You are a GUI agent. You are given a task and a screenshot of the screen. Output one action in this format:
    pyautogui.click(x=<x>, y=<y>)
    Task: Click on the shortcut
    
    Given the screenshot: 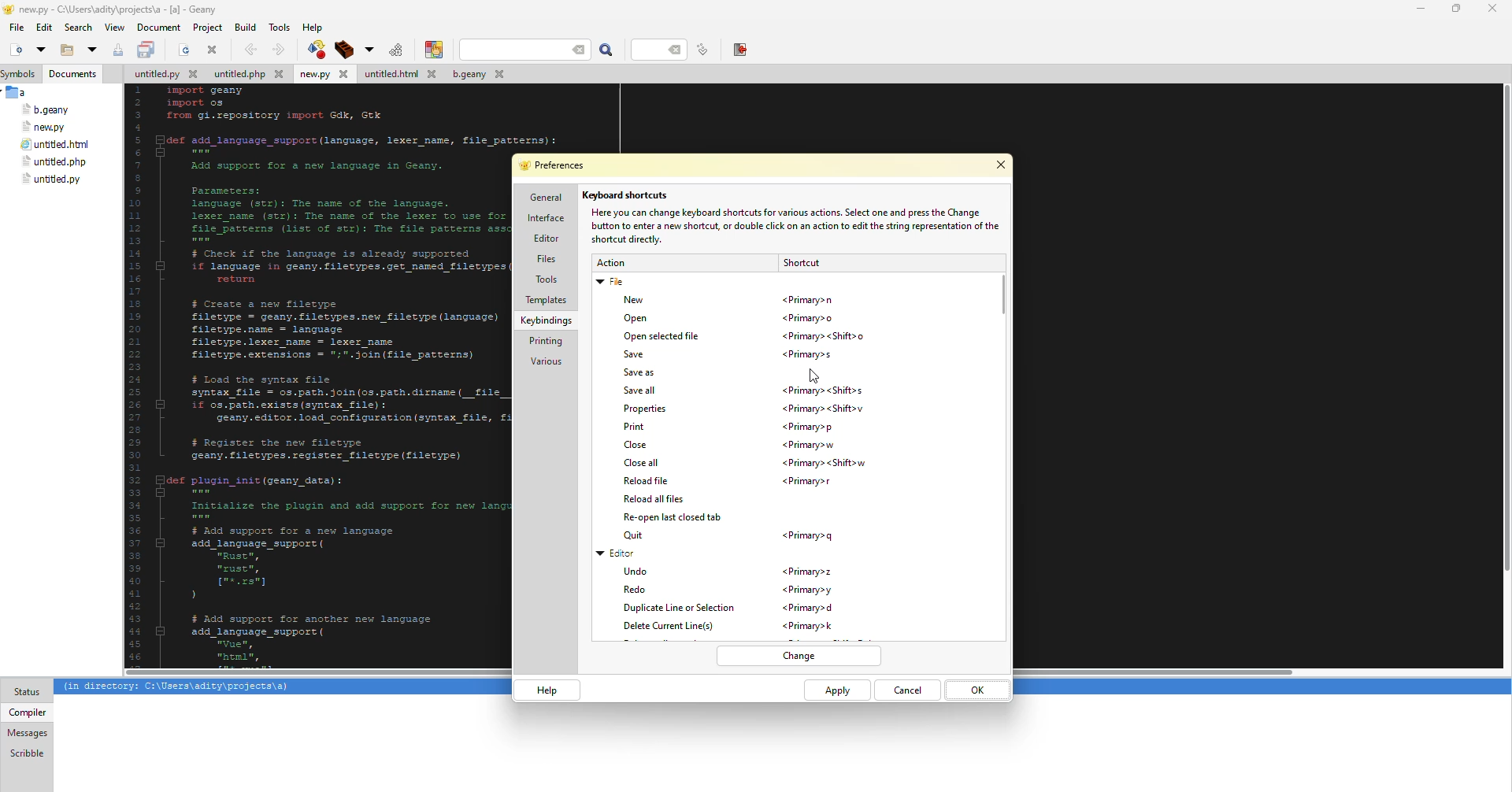 What is the action you would take?
    pyautogui.click(x=809, y=536)
    